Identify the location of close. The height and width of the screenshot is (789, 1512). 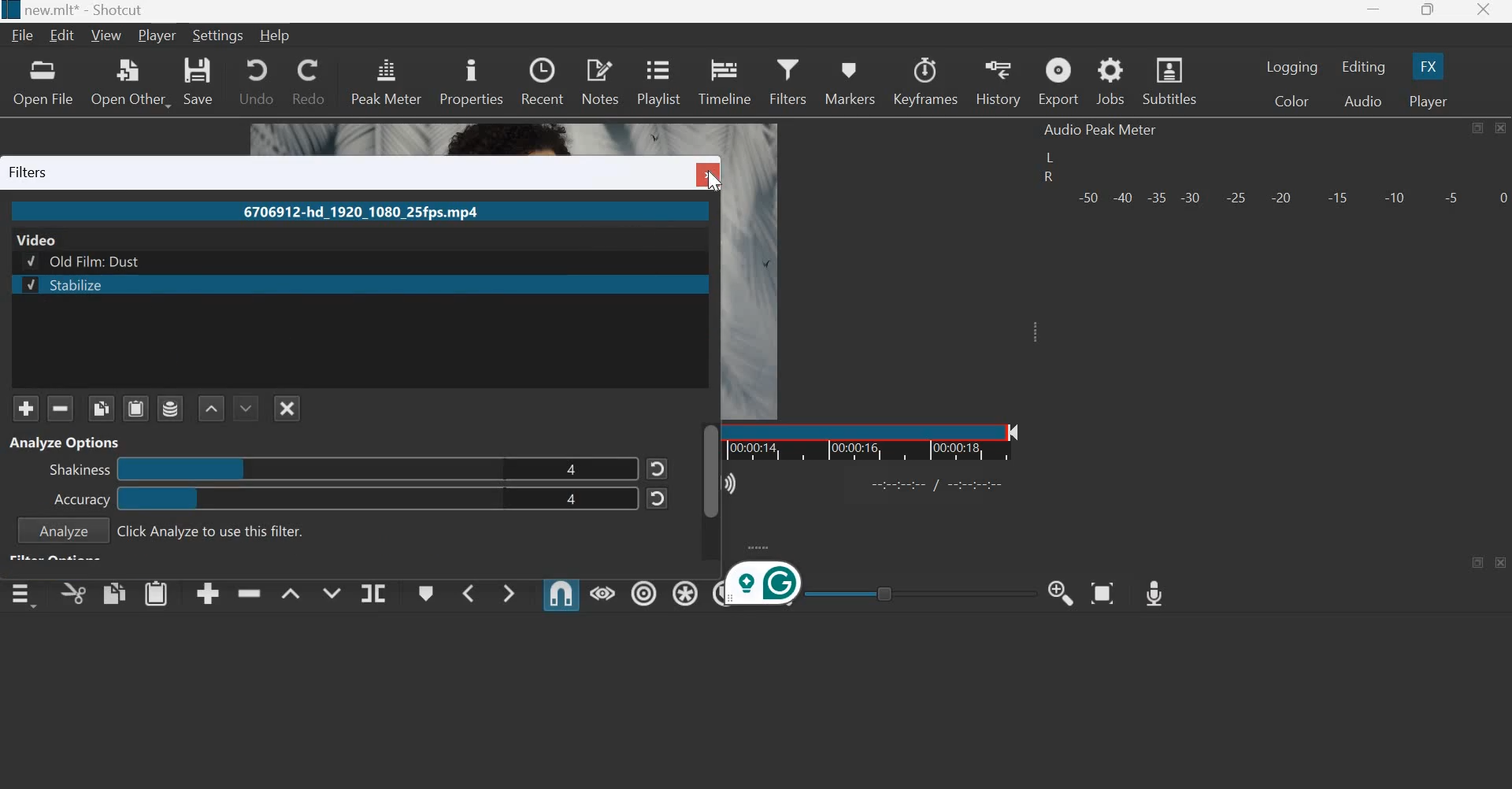
(706, 174).